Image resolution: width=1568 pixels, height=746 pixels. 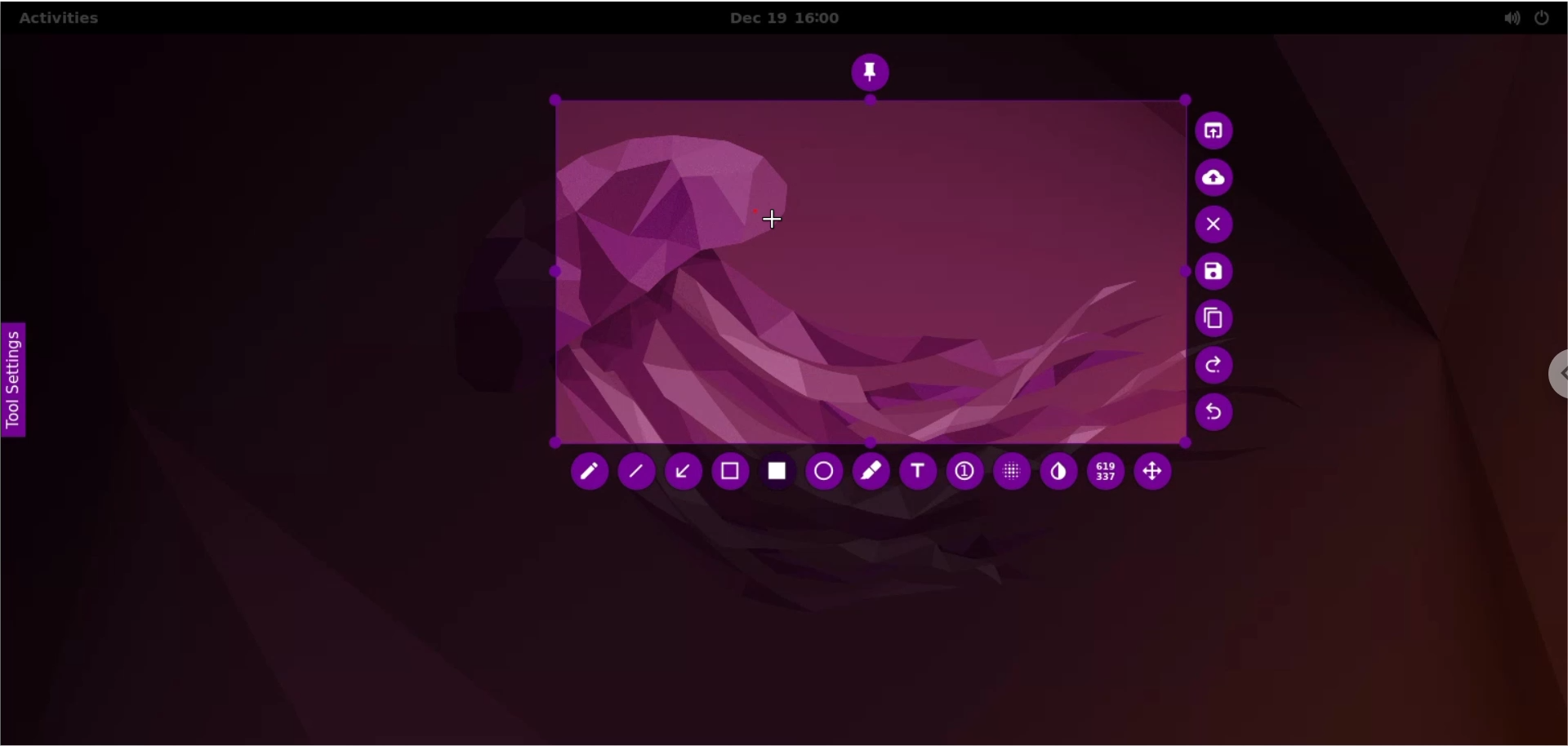 I want to click on copy to clipboards, so click(x=1213, y=320).